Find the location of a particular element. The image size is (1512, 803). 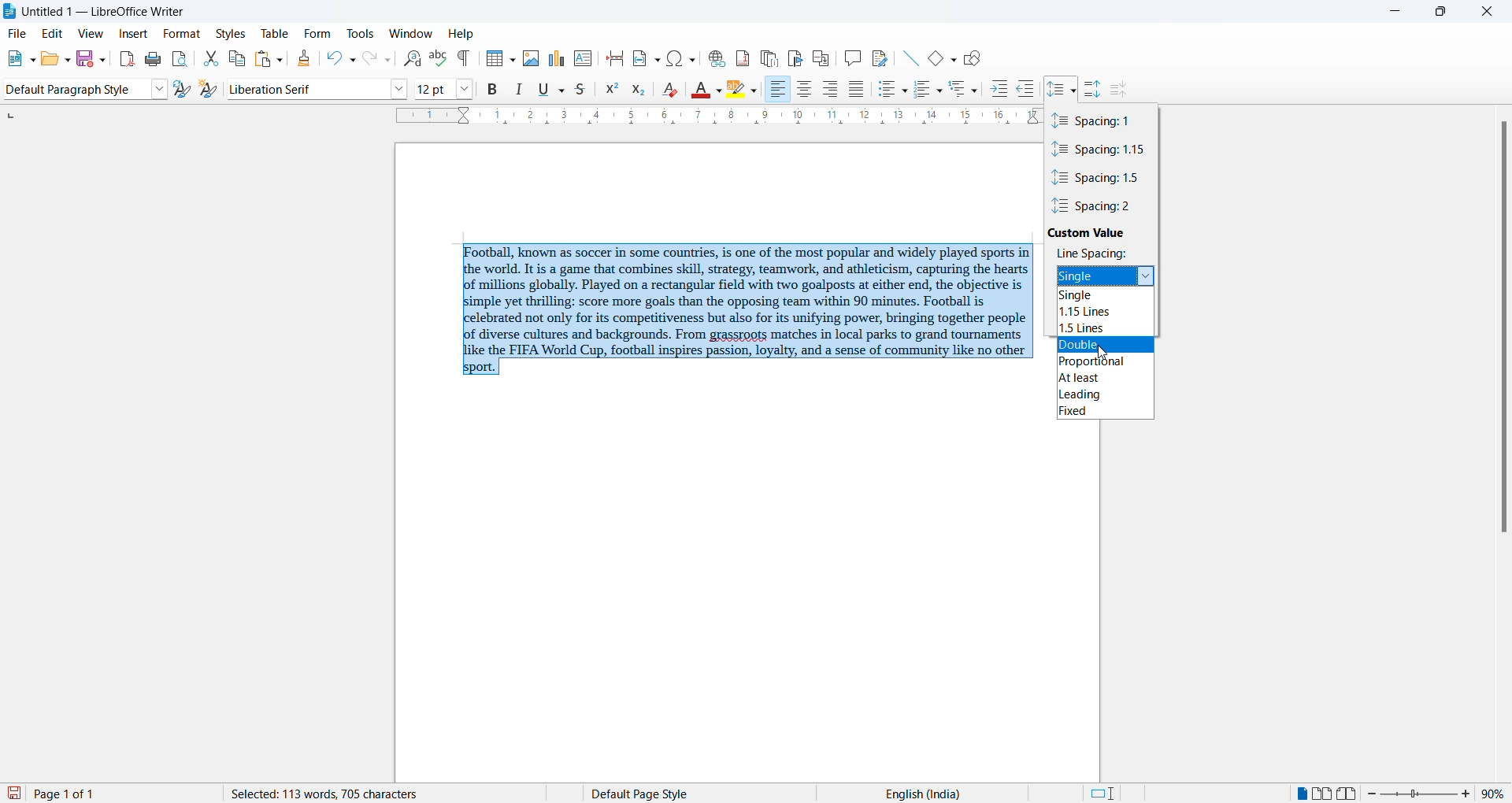

increase paragraph spacing is located at coordinates (1095, 89).